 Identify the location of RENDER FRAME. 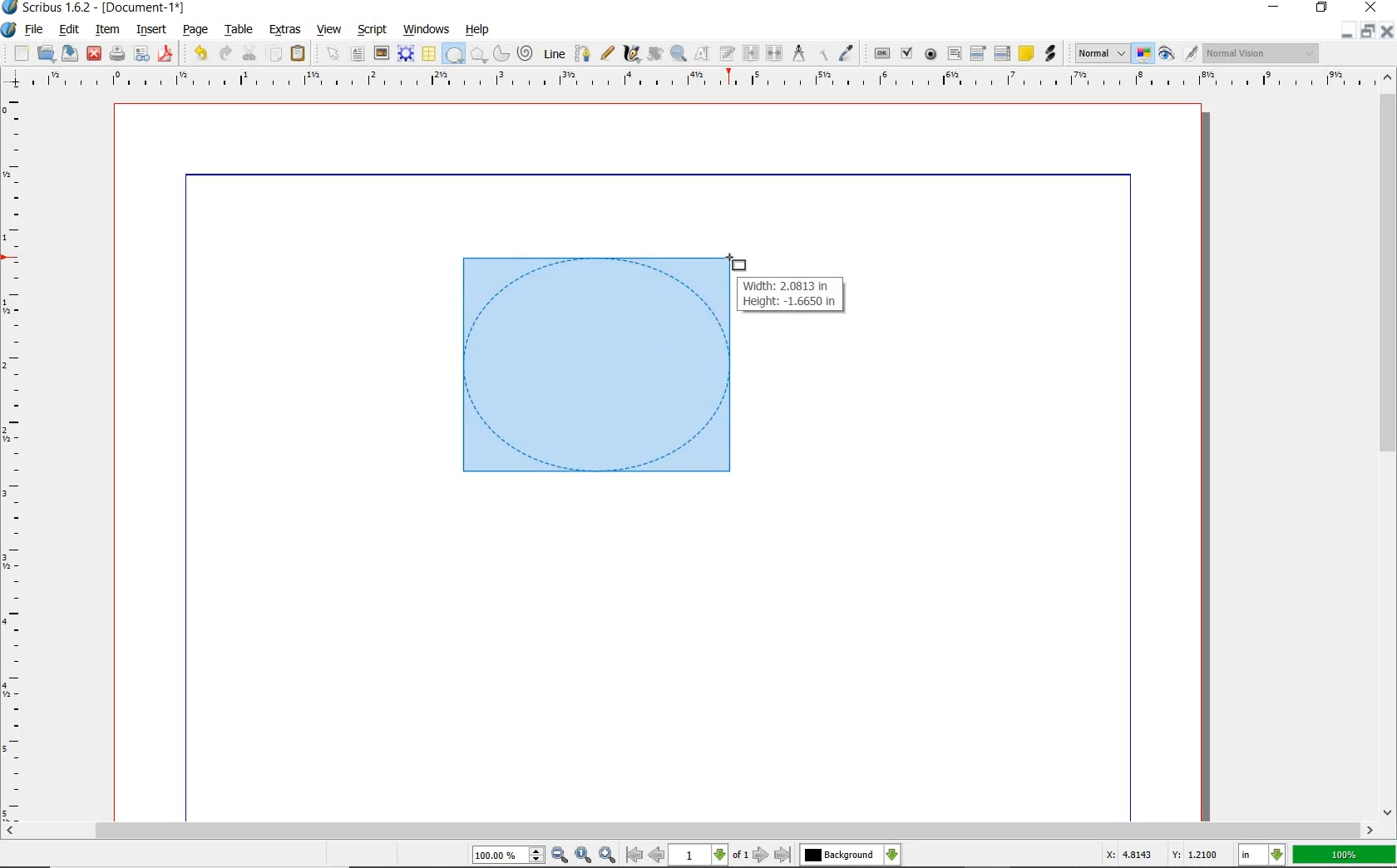
(404, 53).